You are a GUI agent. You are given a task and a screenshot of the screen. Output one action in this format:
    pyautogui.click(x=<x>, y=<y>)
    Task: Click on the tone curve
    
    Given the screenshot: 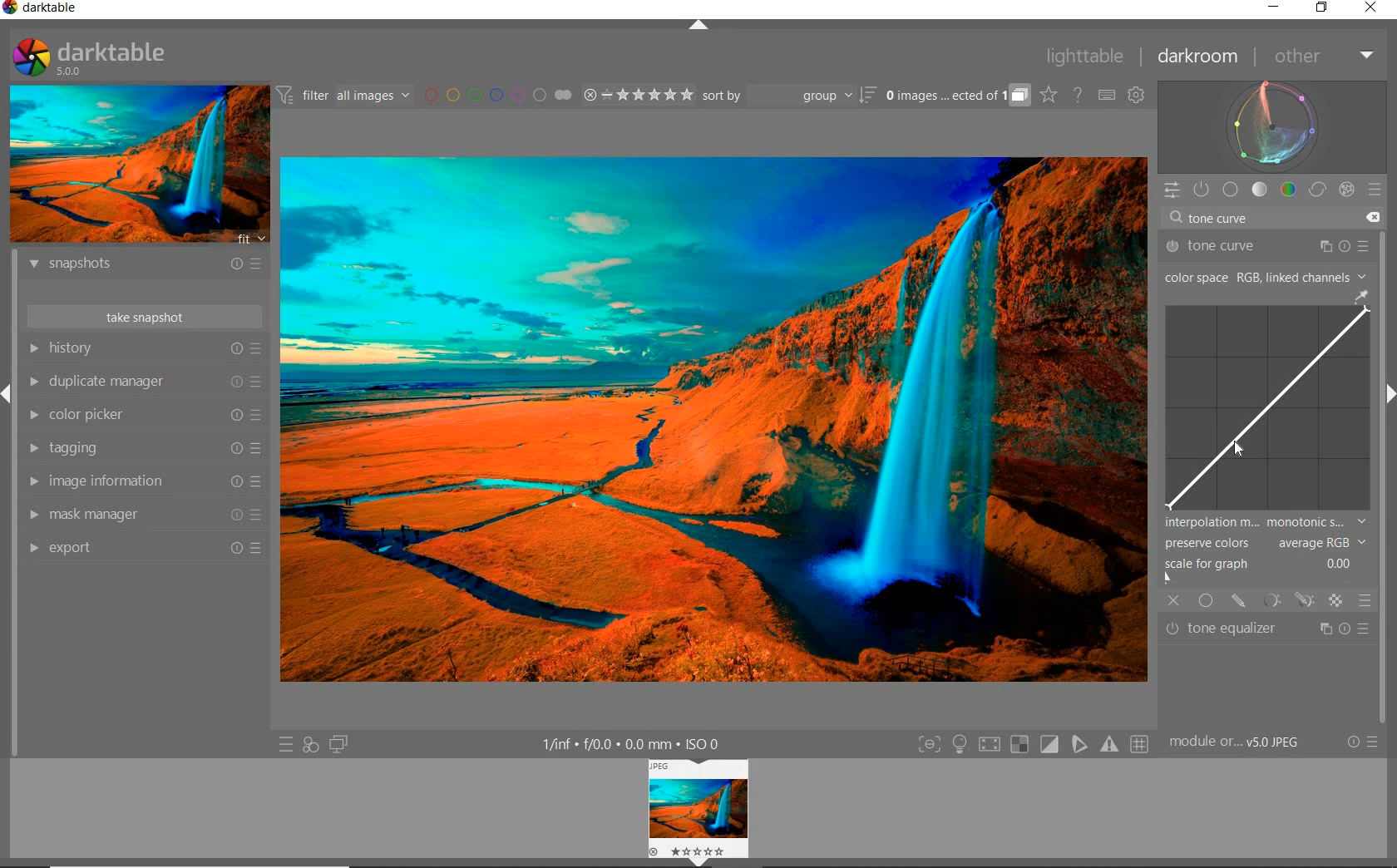 What is the action you would take?
    pyautogui.click(x=1265, y=246)
    